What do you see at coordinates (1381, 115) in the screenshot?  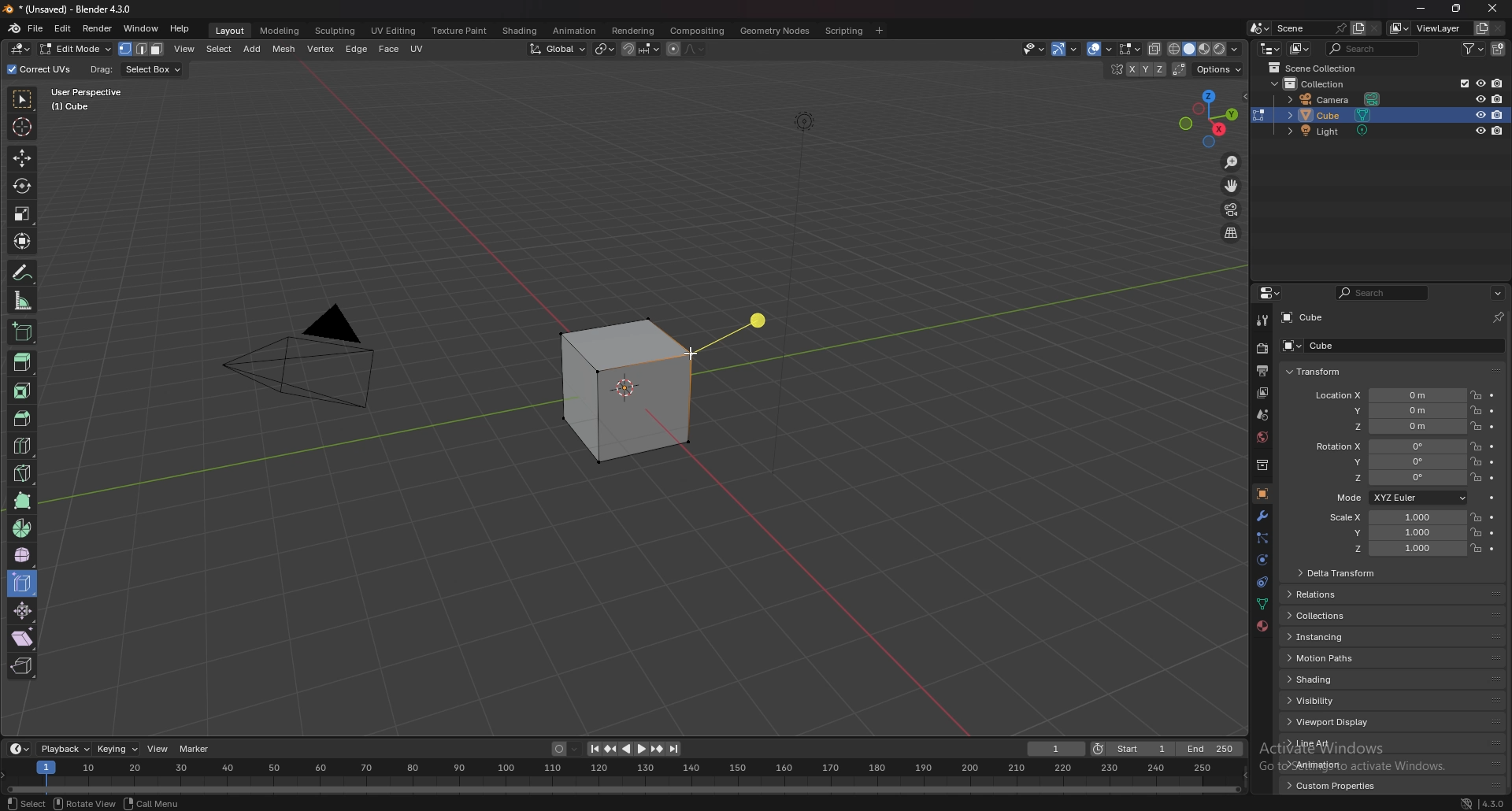 I see `cube` at bounding box center [1381, 115].